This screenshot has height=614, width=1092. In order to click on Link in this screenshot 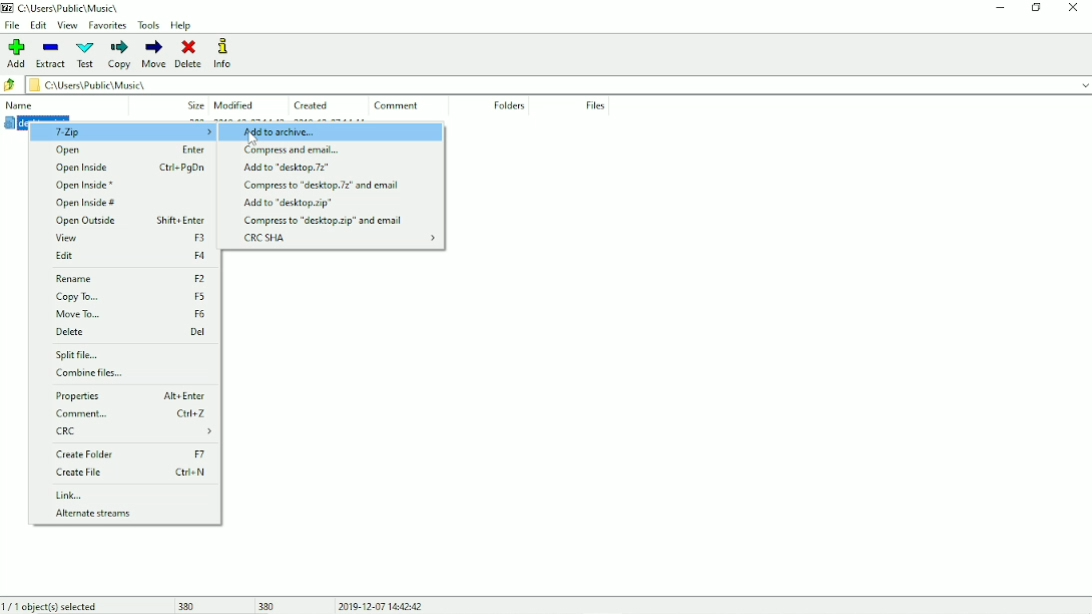, I will do `click(74, 495)`.